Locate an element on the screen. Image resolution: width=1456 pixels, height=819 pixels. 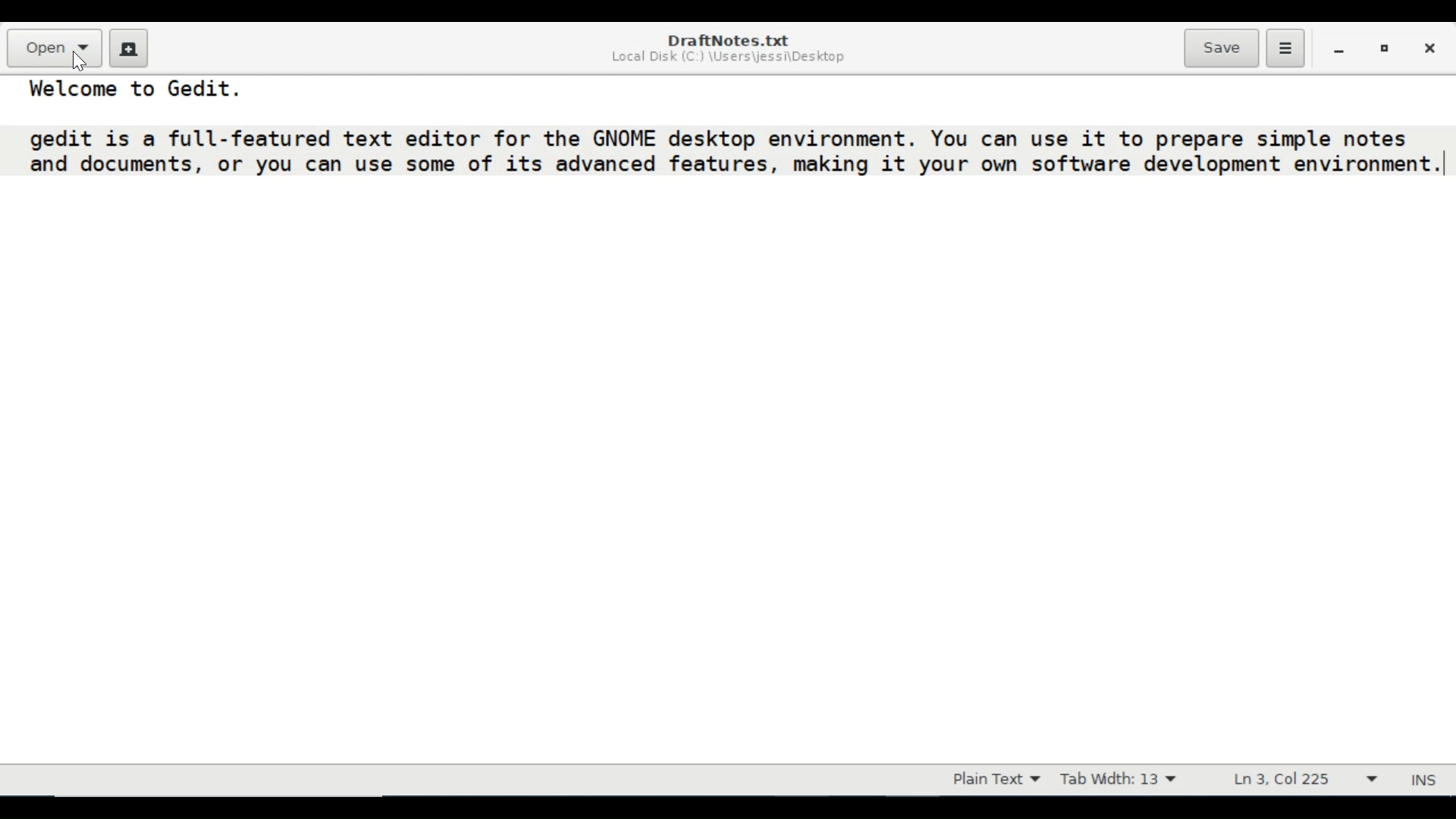
Insert Mode is located at coordinates (1426, 780).